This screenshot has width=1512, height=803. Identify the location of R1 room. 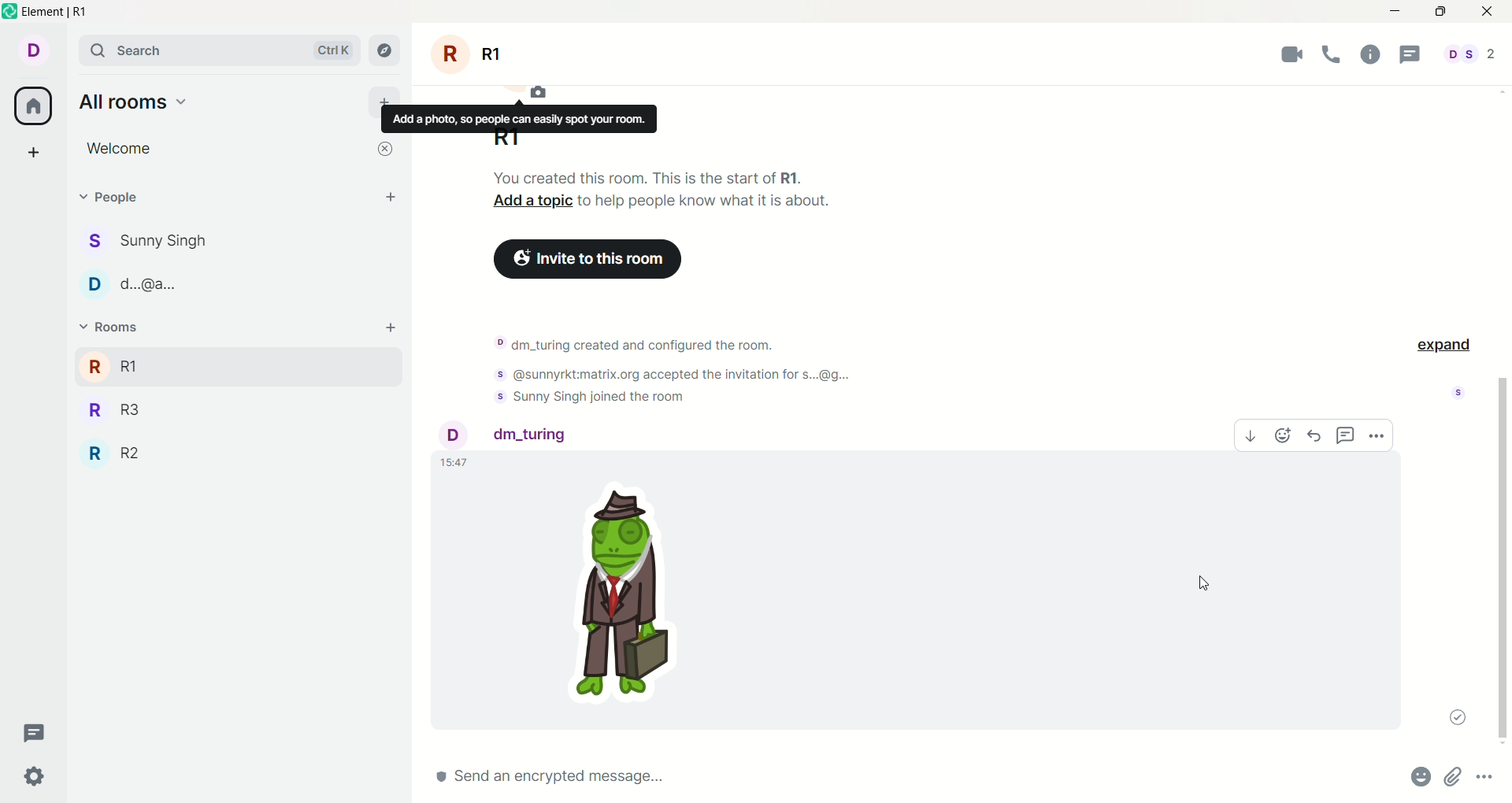
(213, 366).